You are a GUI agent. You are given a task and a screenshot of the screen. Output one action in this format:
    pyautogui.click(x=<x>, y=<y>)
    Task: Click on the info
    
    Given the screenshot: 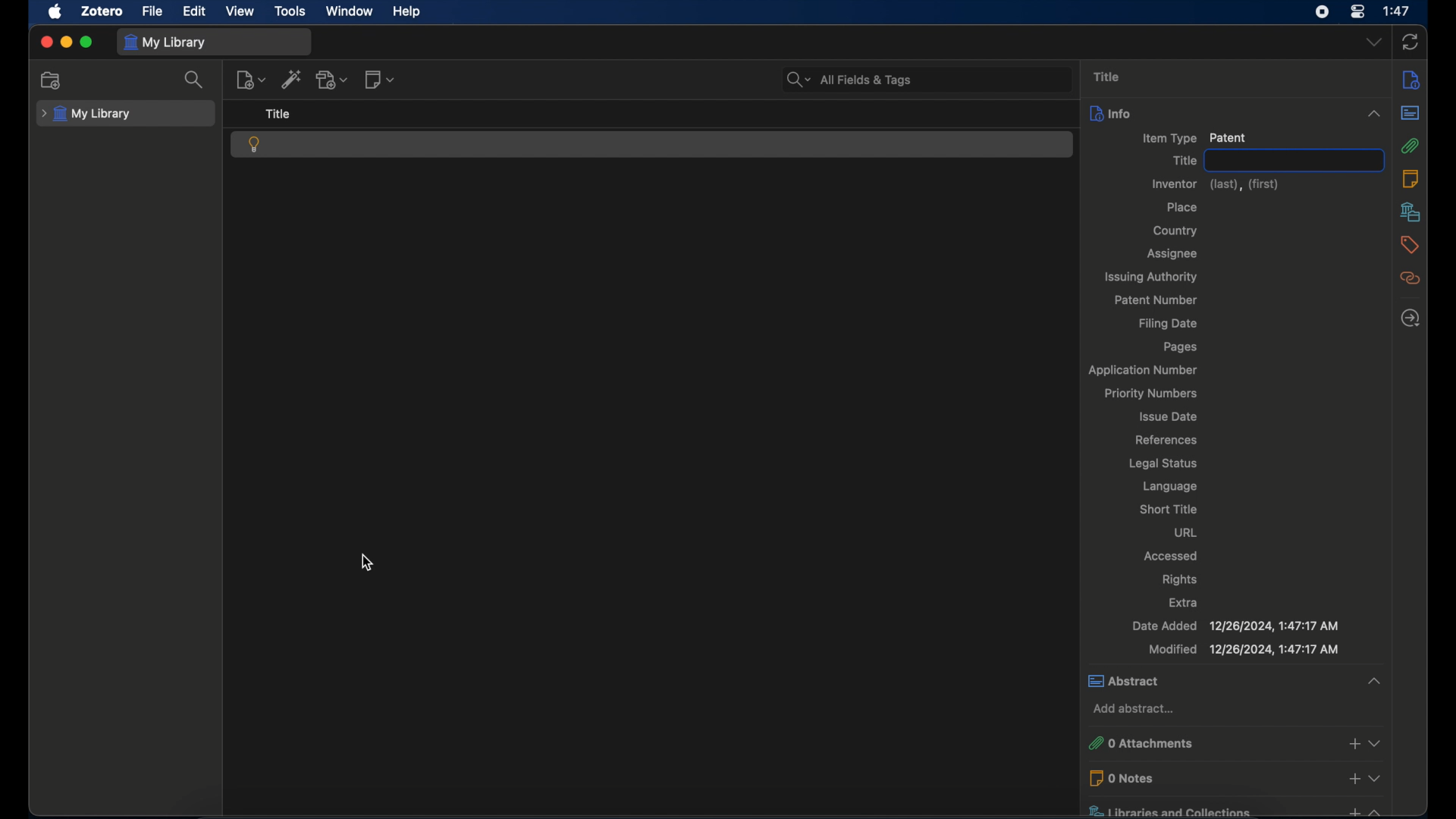 What is the action you would take?
    pyautogui.click(x=1410, y=80)
    